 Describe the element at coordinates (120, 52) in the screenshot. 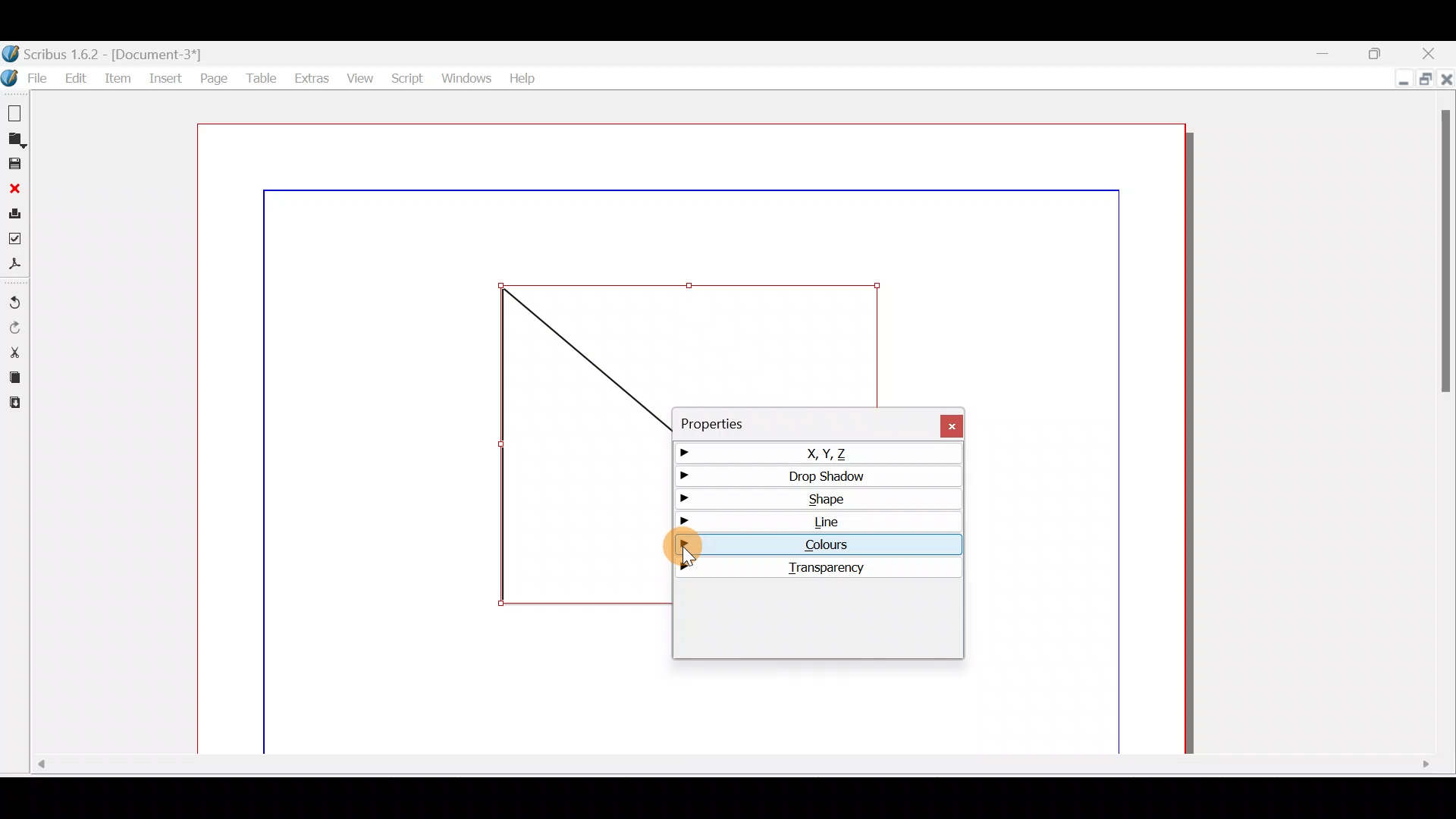

I see `Document name` at that location.